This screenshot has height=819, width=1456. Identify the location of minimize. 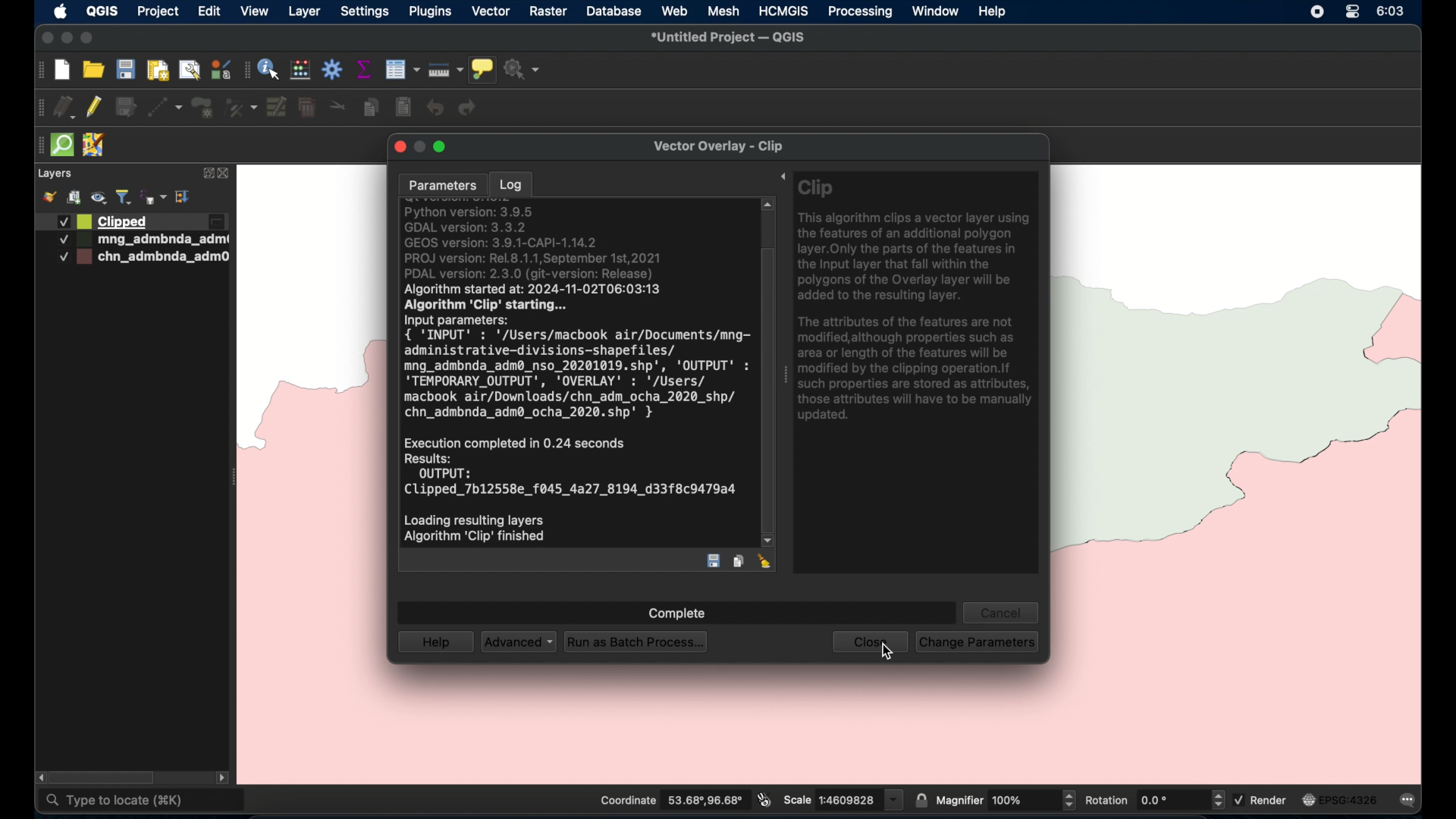
(67, 39).